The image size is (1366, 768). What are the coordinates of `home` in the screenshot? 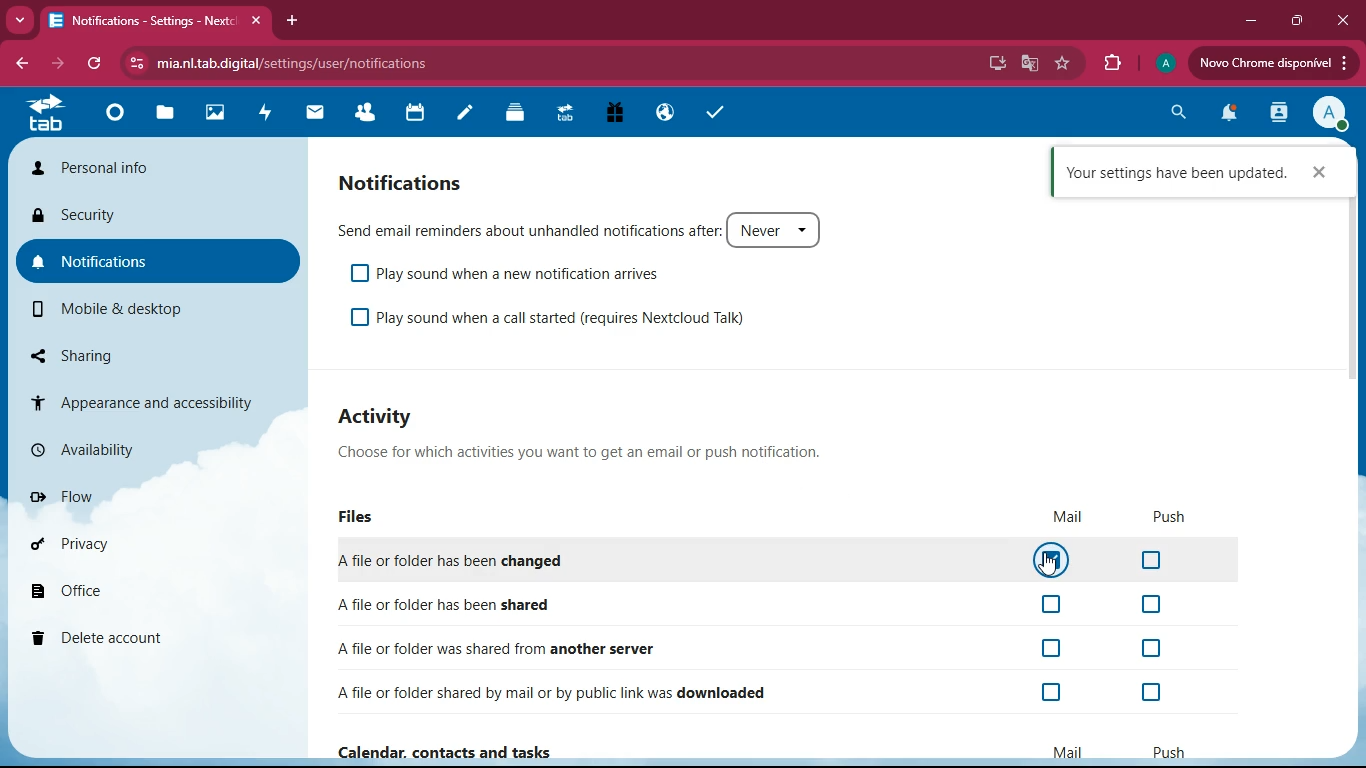 It's located at (114, 118).